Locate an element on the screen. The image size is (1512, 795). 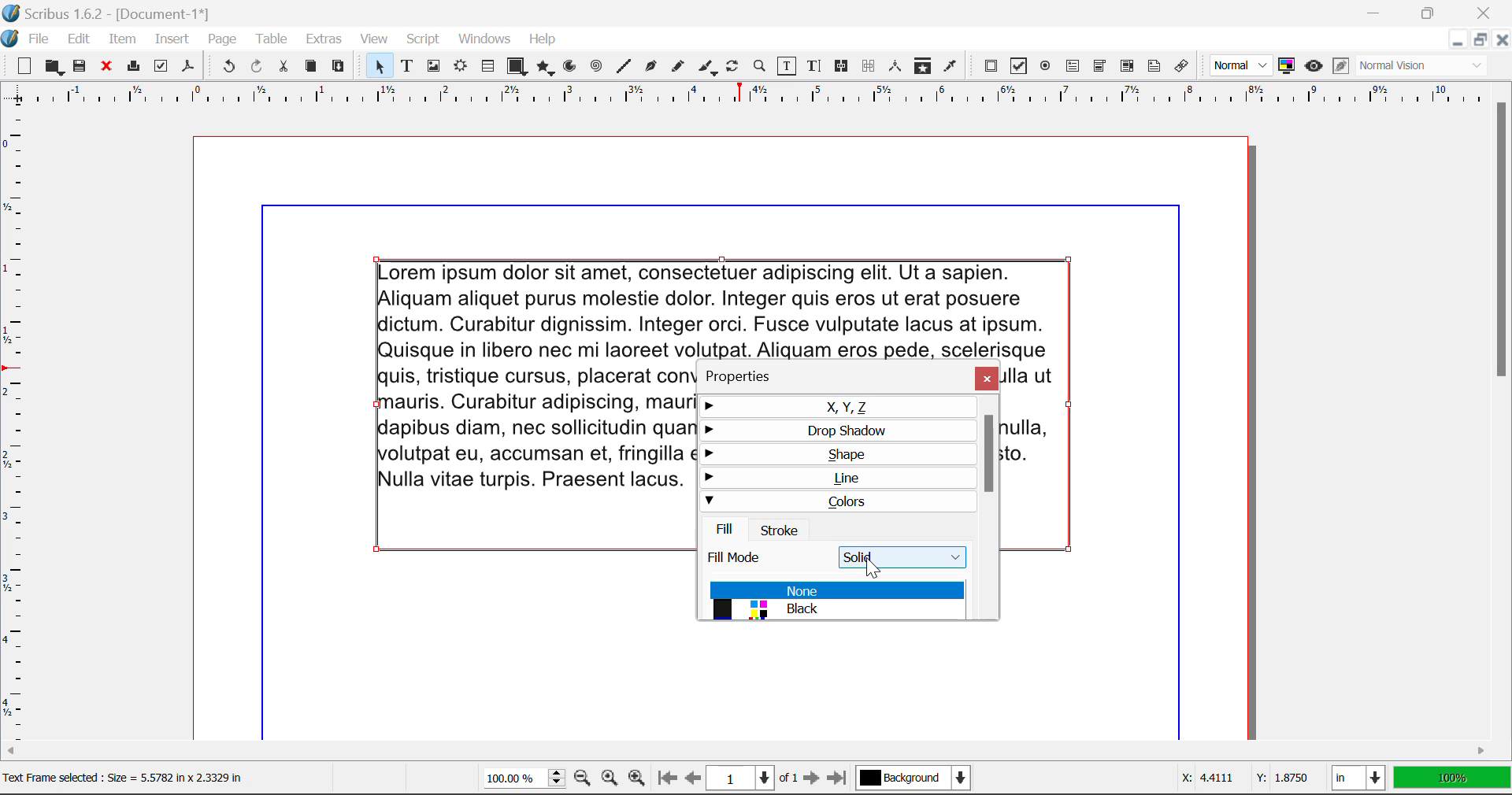
Scroll Bar is located at coordinates (1503, 411).